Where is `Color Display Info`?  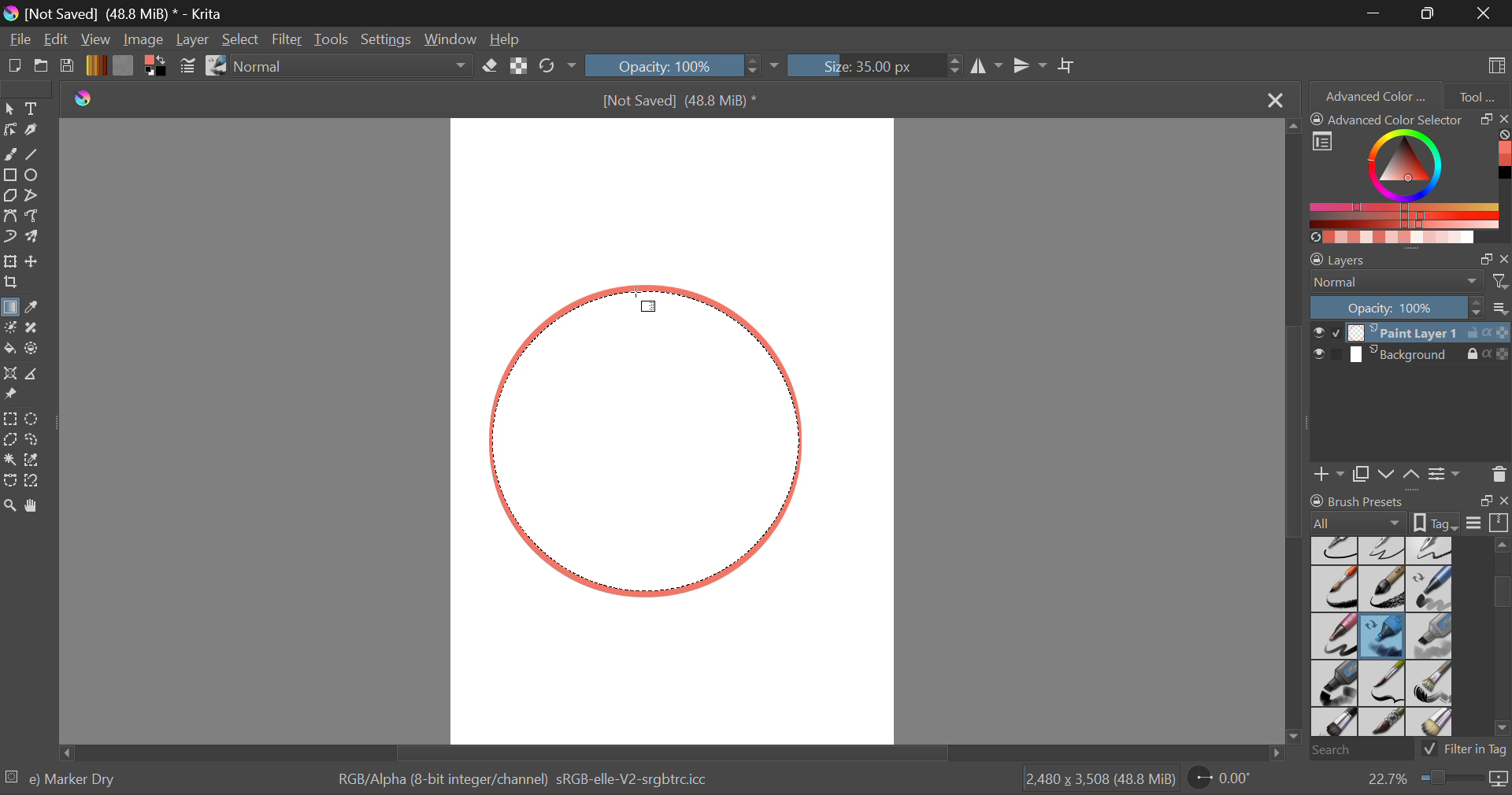 Color Display Info is located at coordinates (528, 782).